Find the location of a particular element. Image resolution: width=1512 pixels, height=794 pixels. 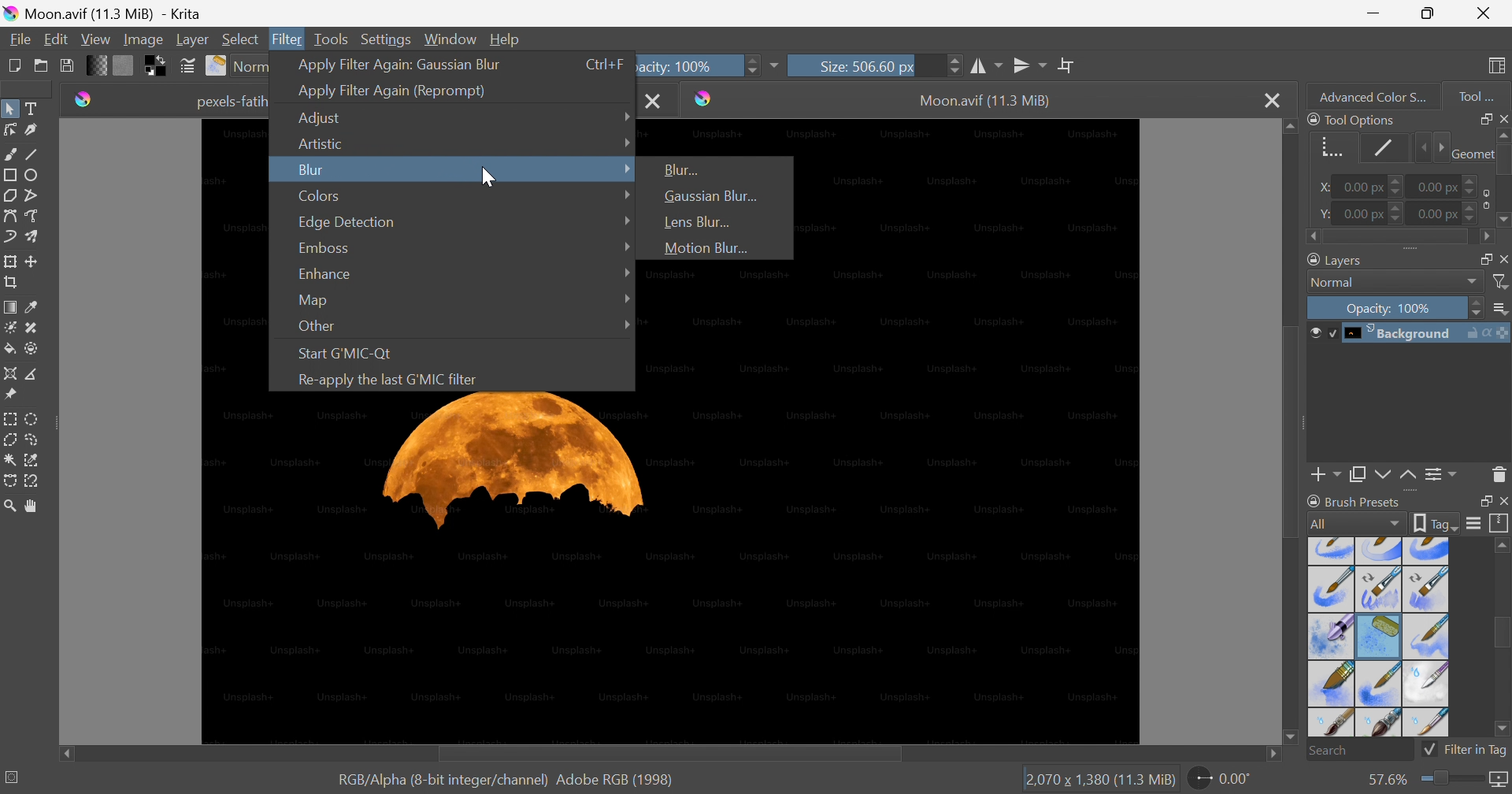

Freehand brush tool is located at coordinates (12, 153).